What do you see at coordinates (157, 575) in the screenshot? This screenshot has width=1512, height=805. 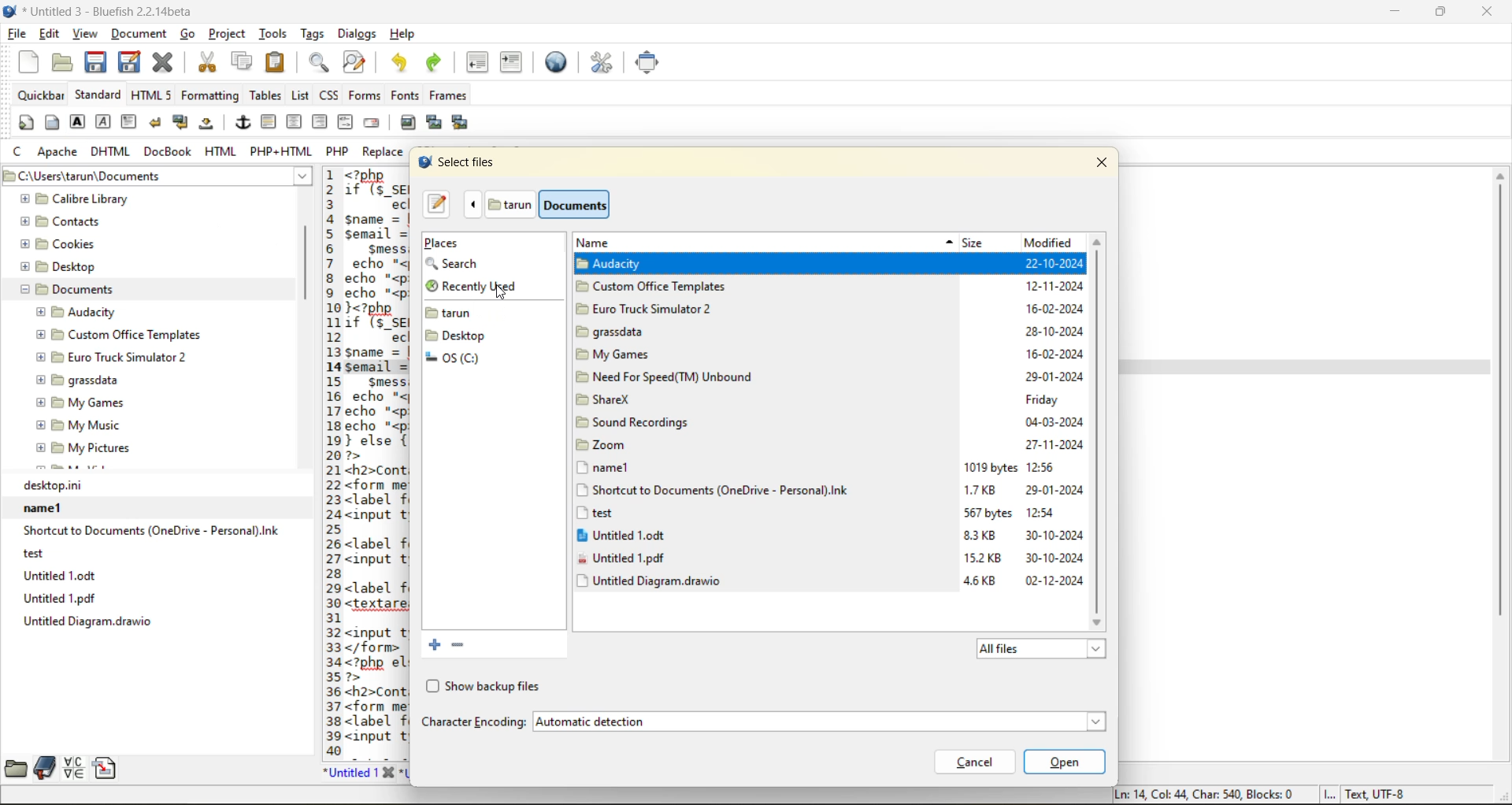 I see `Untitled 1.odt` at bounding box center [157, 575].